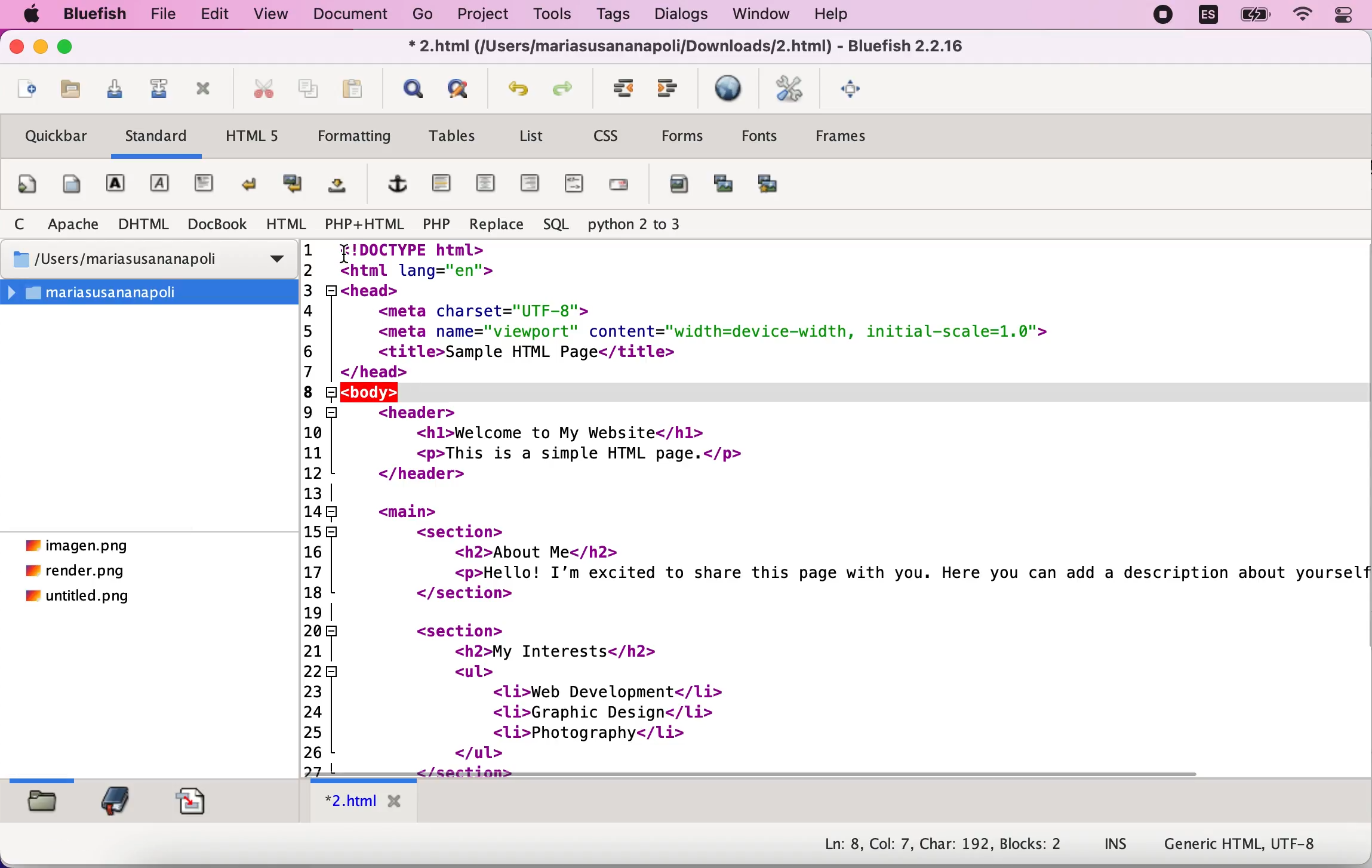 Image resolution: width=1372 pixels, height=868 pixels. Describe the element at coordinates (568, 89) in the screenshot. I see `redo` at that location.